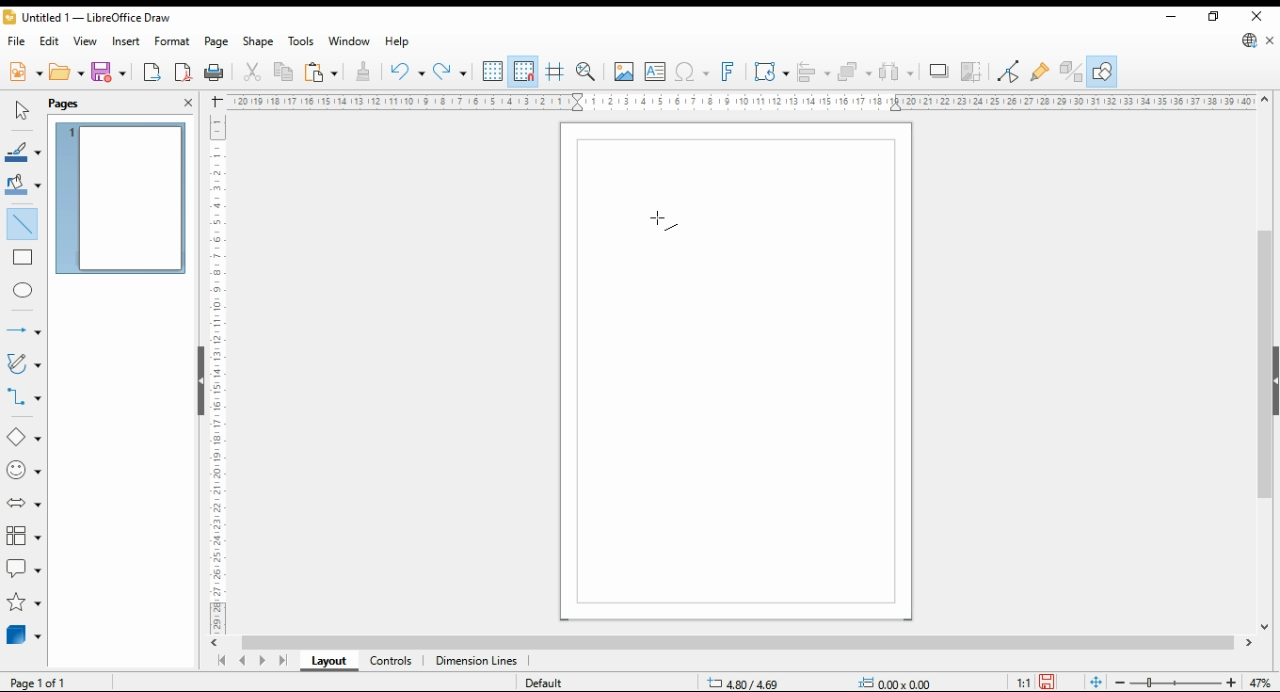 Image resolution: width=1280 pixels, height=692 pixels. I want to click on restore, so click(1216, 16).